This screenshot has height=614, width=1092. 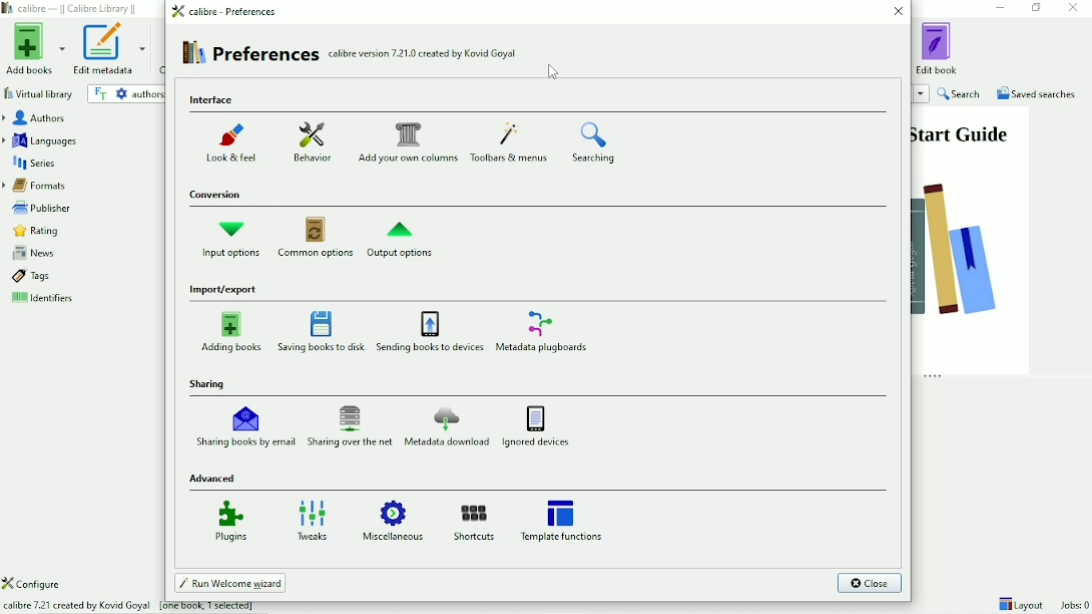 What do you see at coordinates (230, 582) in the screenshot?
I see `run welcome wizard` at bounding box center [230, 582].